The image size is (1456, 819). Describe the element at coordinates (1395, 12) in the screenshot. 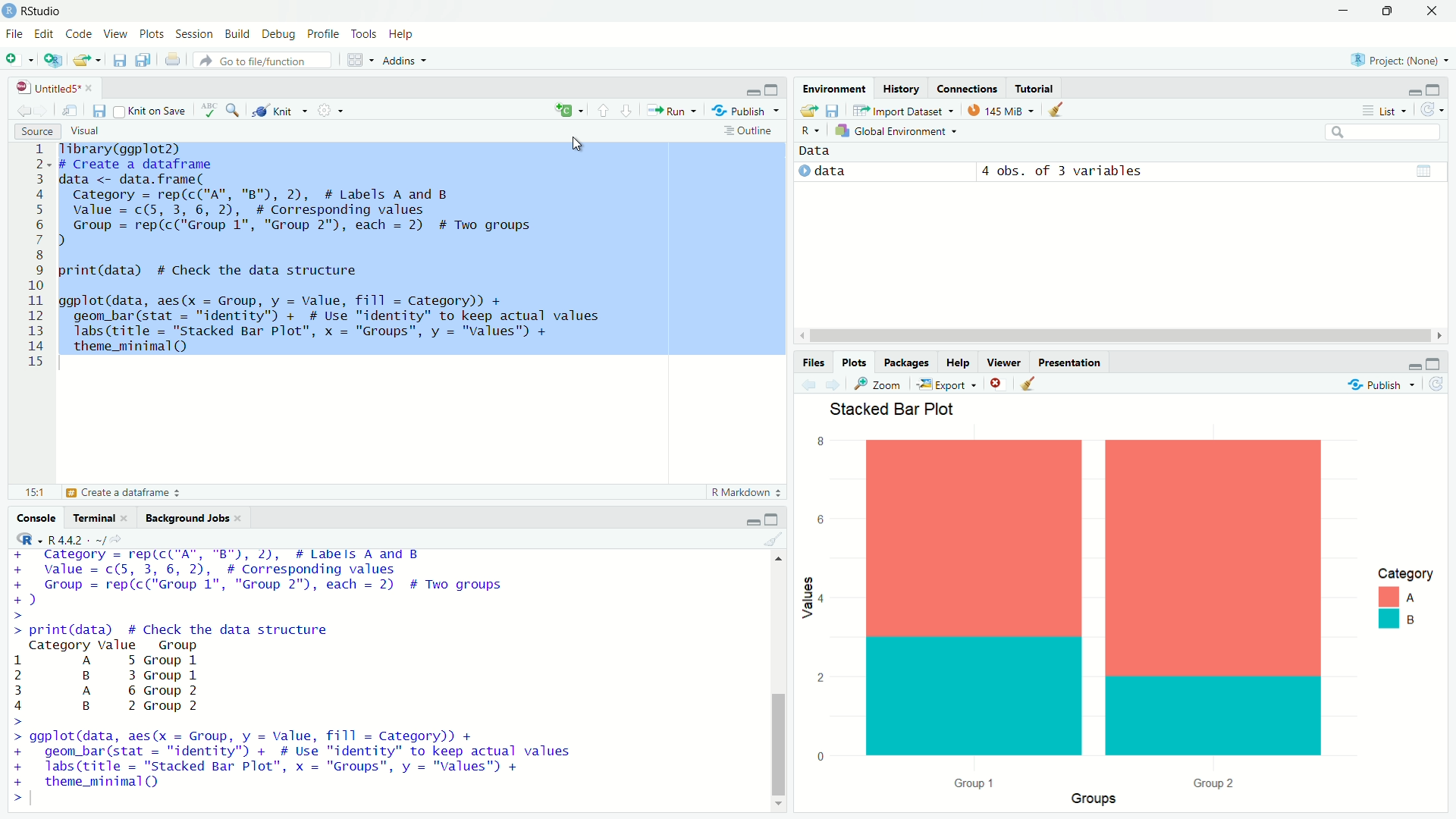

I see `Maximize` at that location.